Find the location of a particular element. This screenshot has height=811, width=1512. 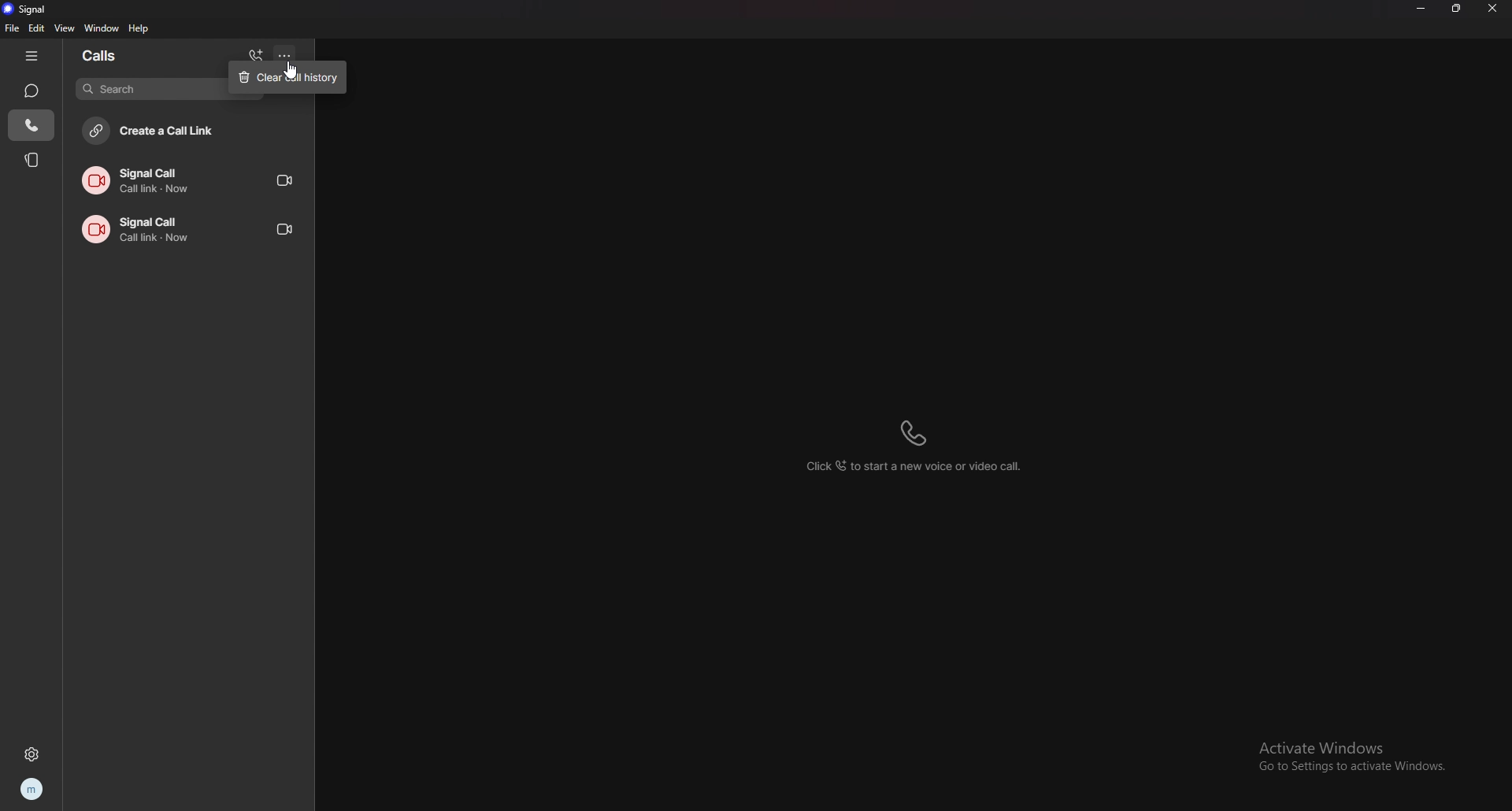

signal is located at coordinates (37, 8).